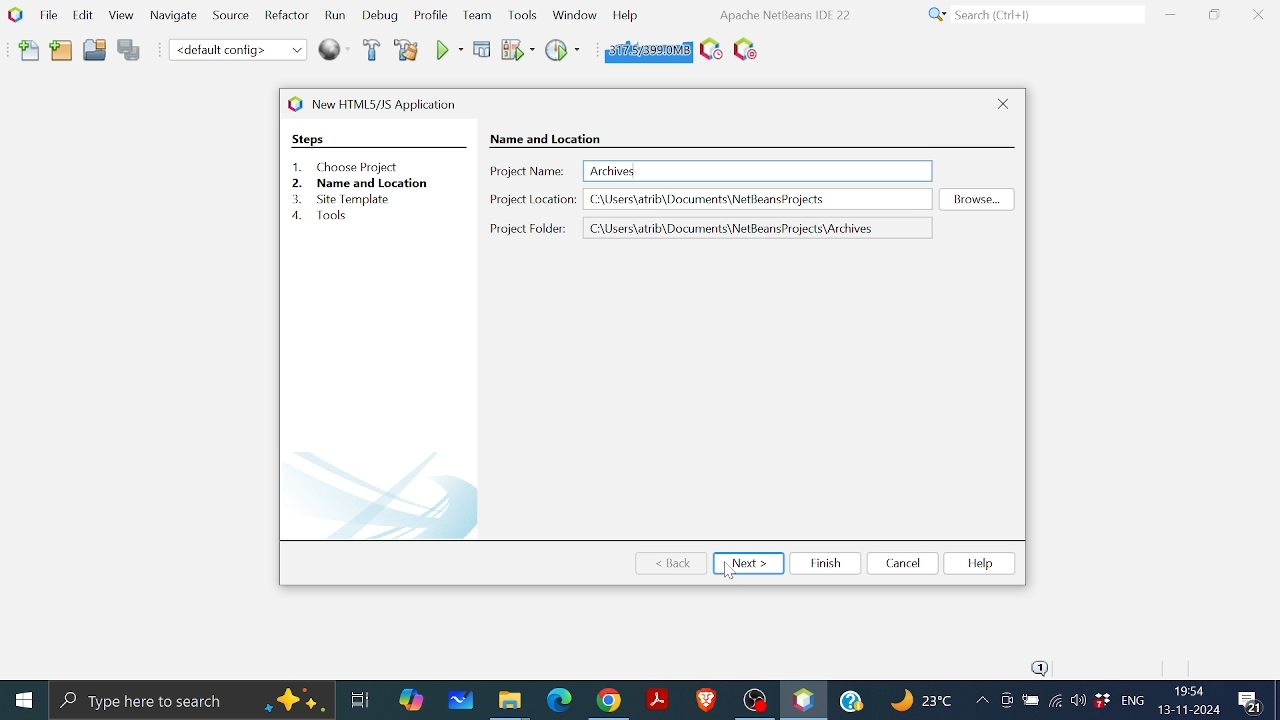 This screenshot has width=1280, height=720. I want to click on Debug, so click(381, 16).